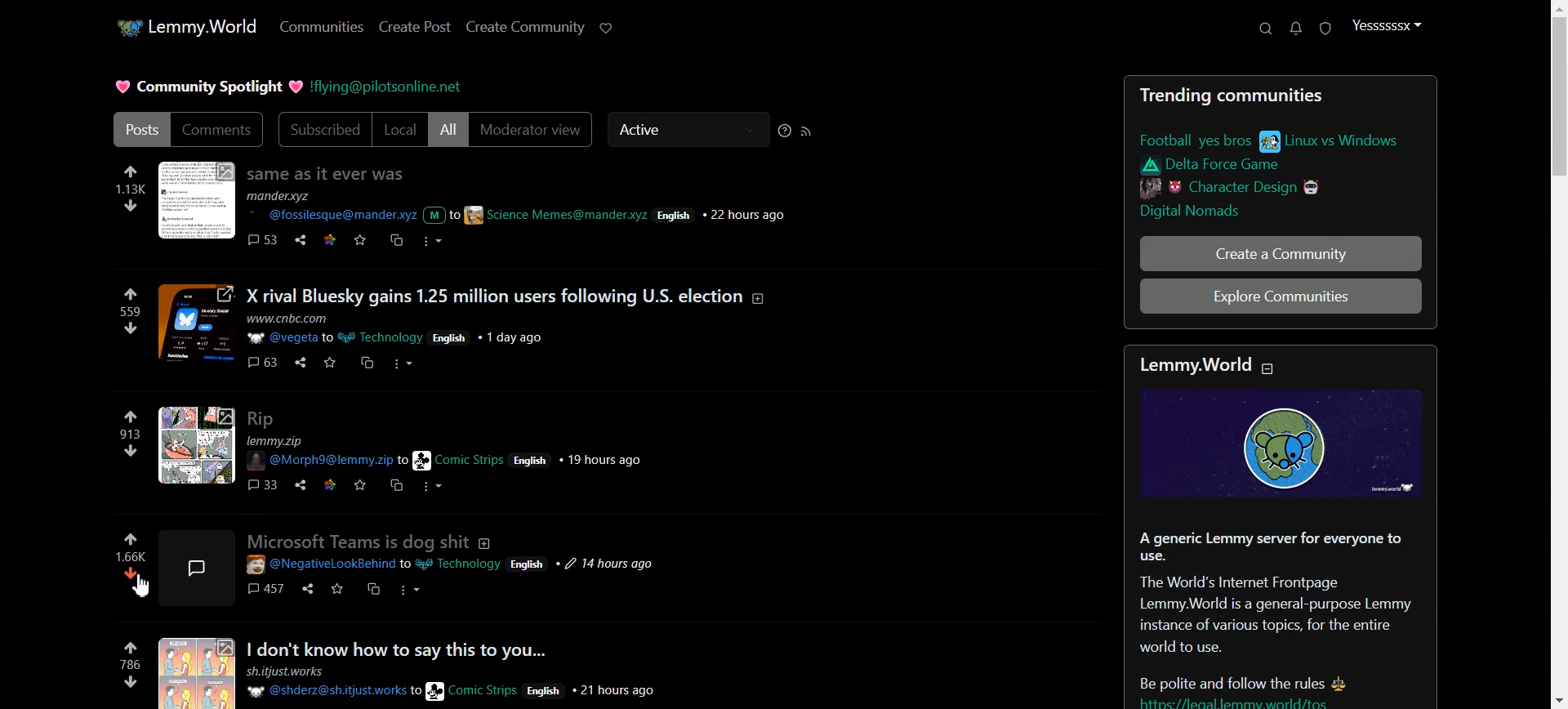  What do you see at coordinates (131, 538) in the screenshot?
I see `Upvote` at bounding box center [131, 538].